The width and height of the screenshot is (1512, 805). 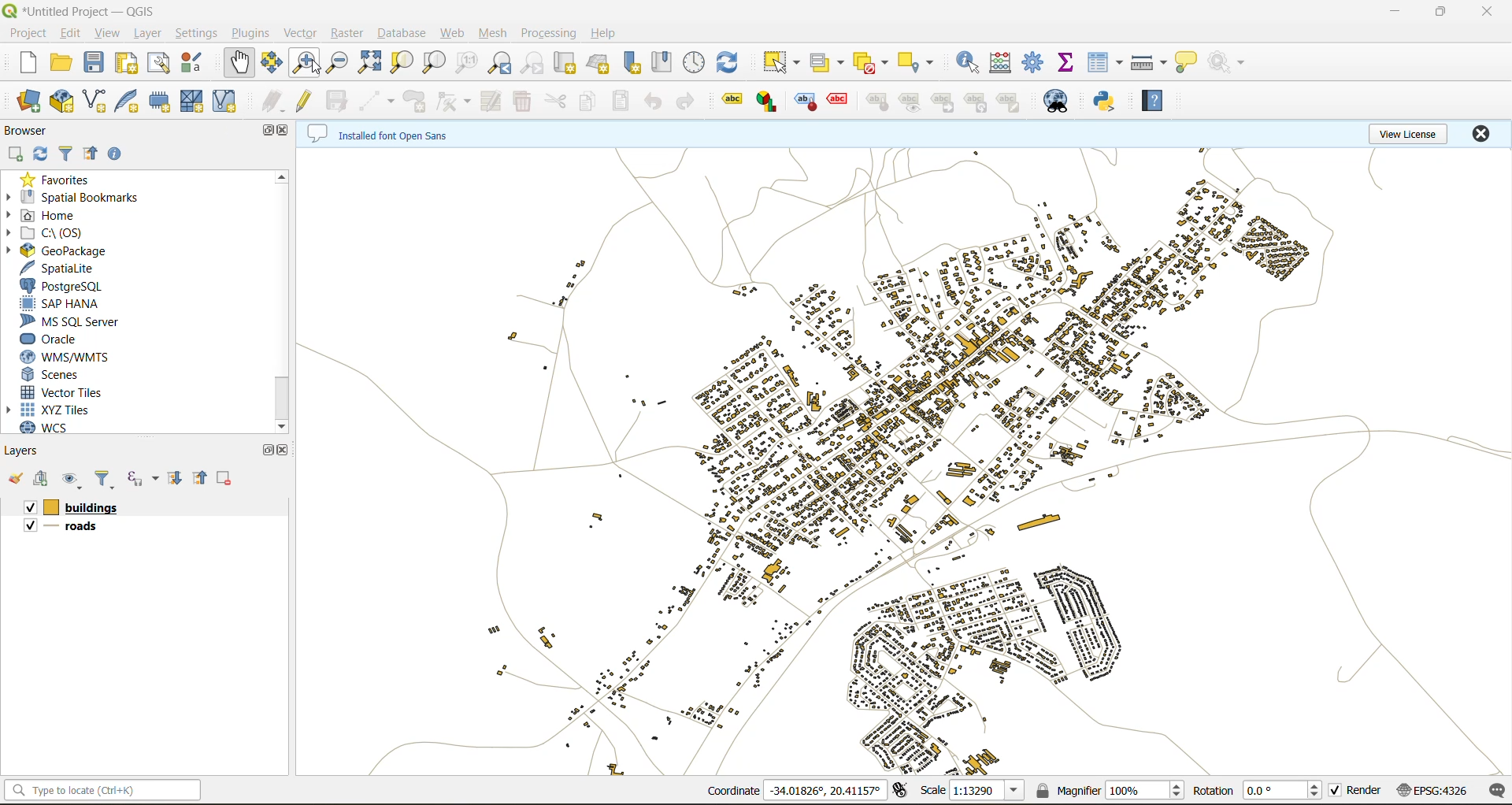 What do you see at coordinates (335, 64) in the screenshot?
I see `zoom out` at bounding box center [335, 64].